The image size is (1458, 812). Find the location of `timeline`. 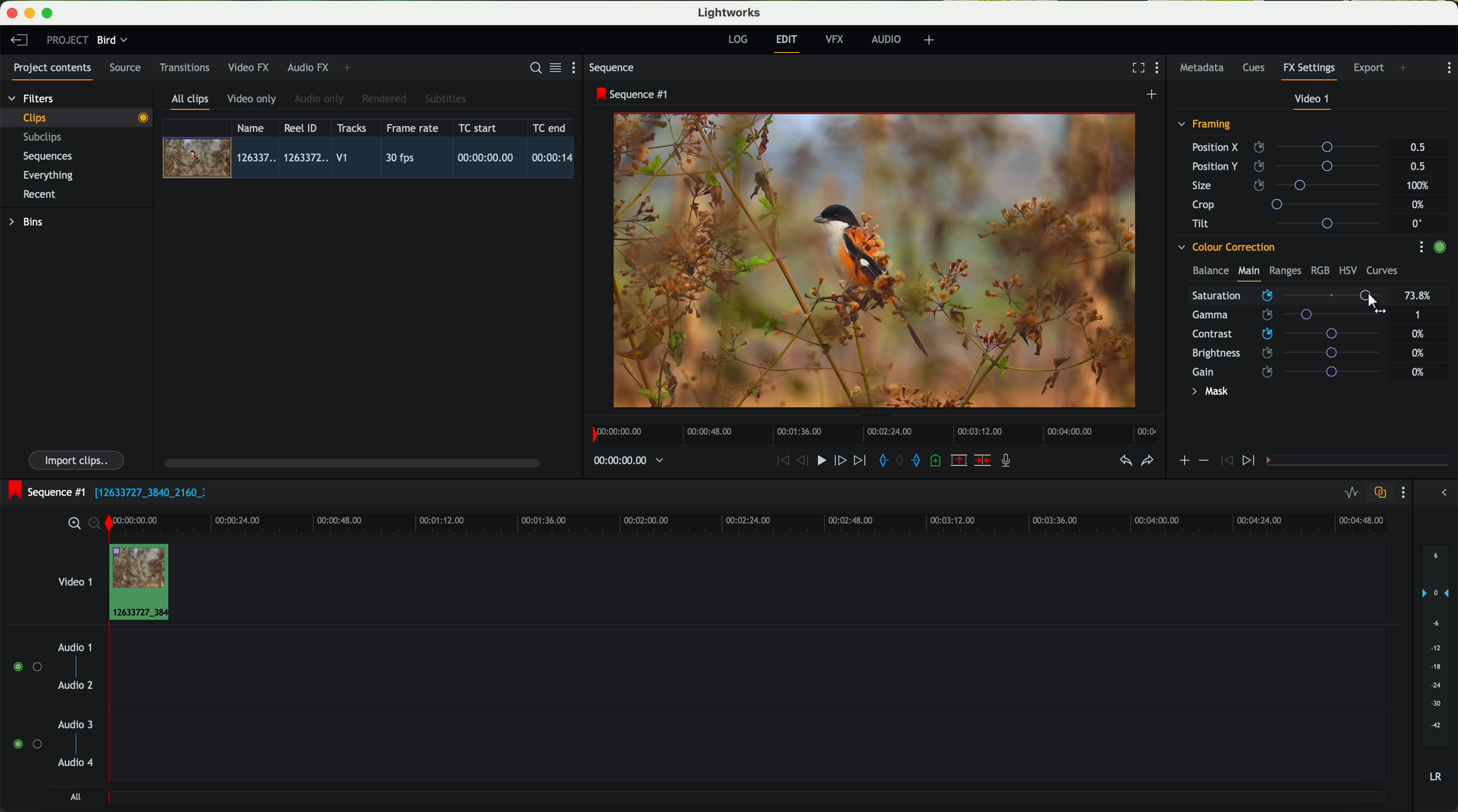

timeline is located at coordinates (778, 522).